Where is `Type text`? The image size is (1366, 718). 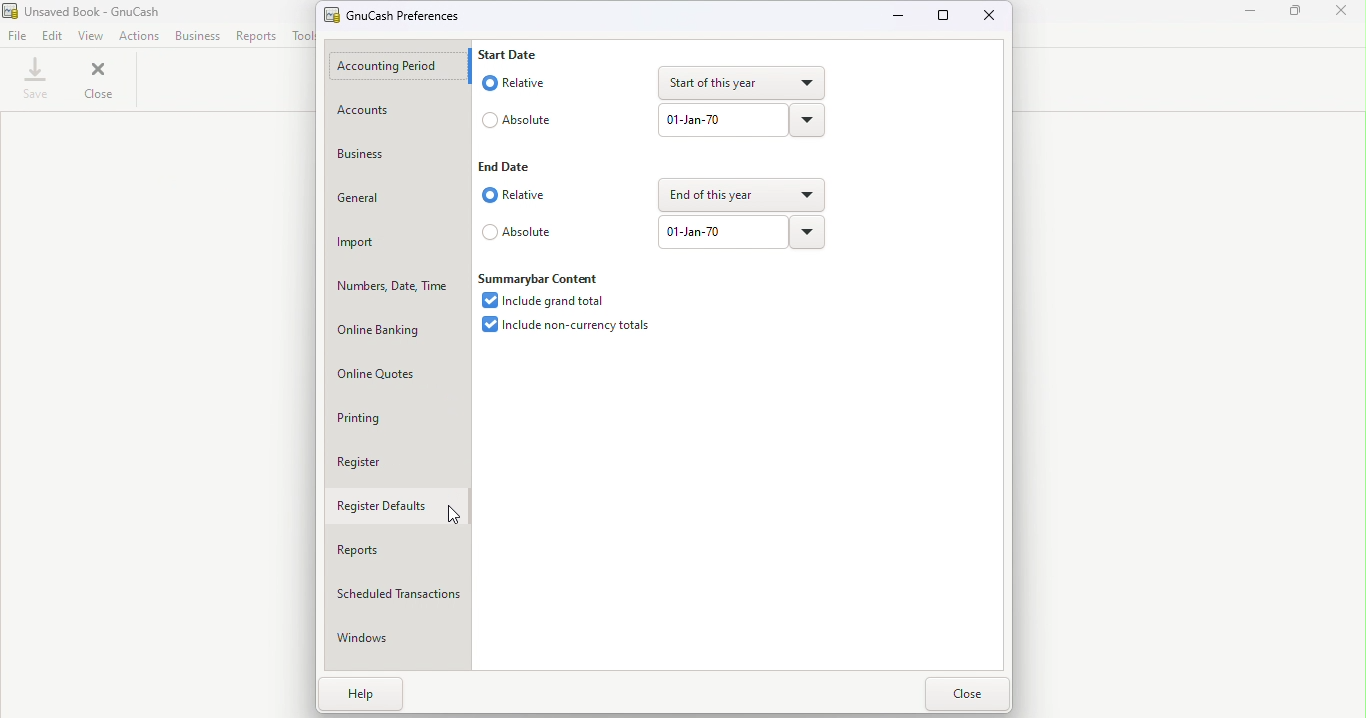
Type text is located at coordinates (721, 121).